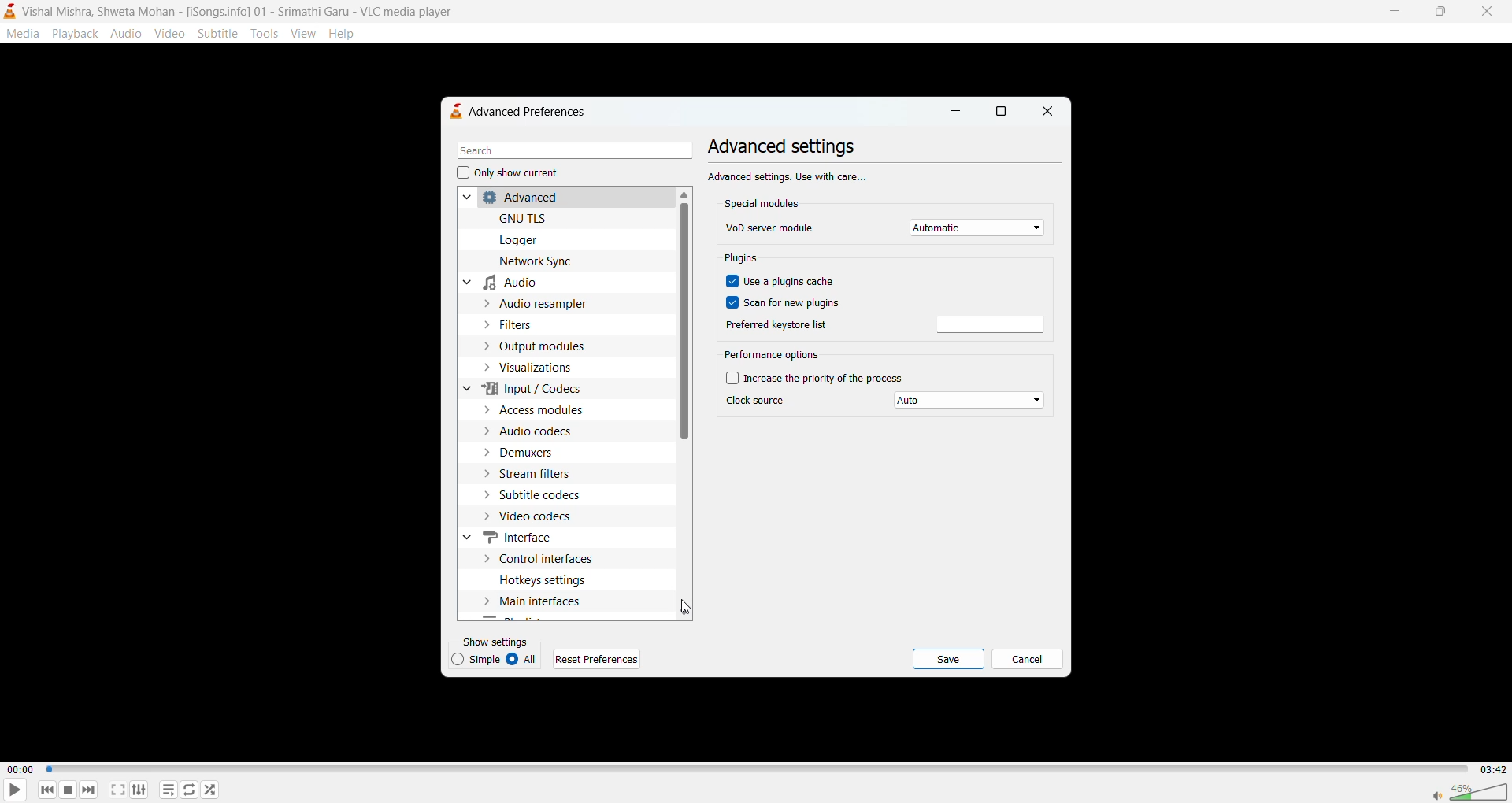  I want to click on maximize, so click(1002, 113).